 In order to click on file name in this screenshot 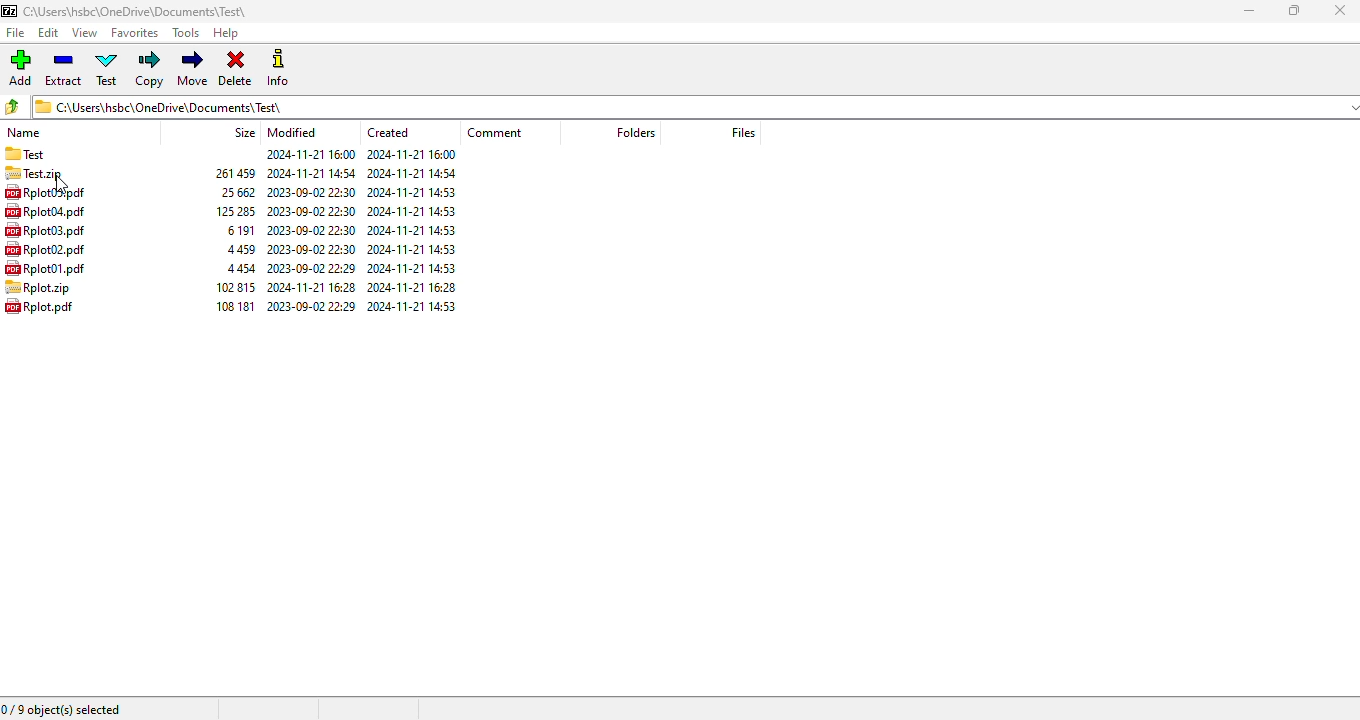, I will do `click(44, 248)`.